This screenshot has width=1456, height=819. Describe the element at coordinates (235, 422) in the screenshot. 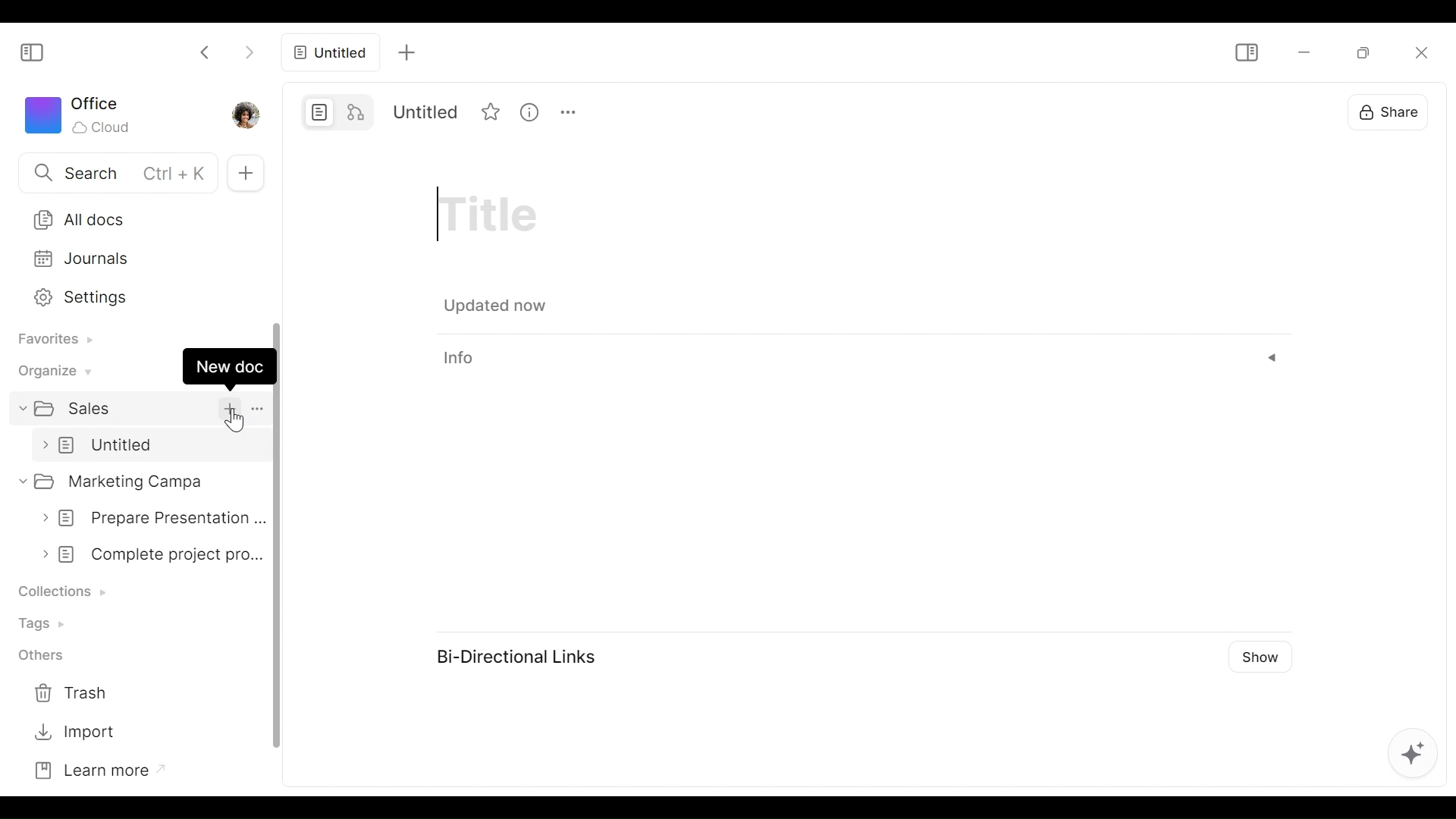

I see `cursor pointer` at that location.